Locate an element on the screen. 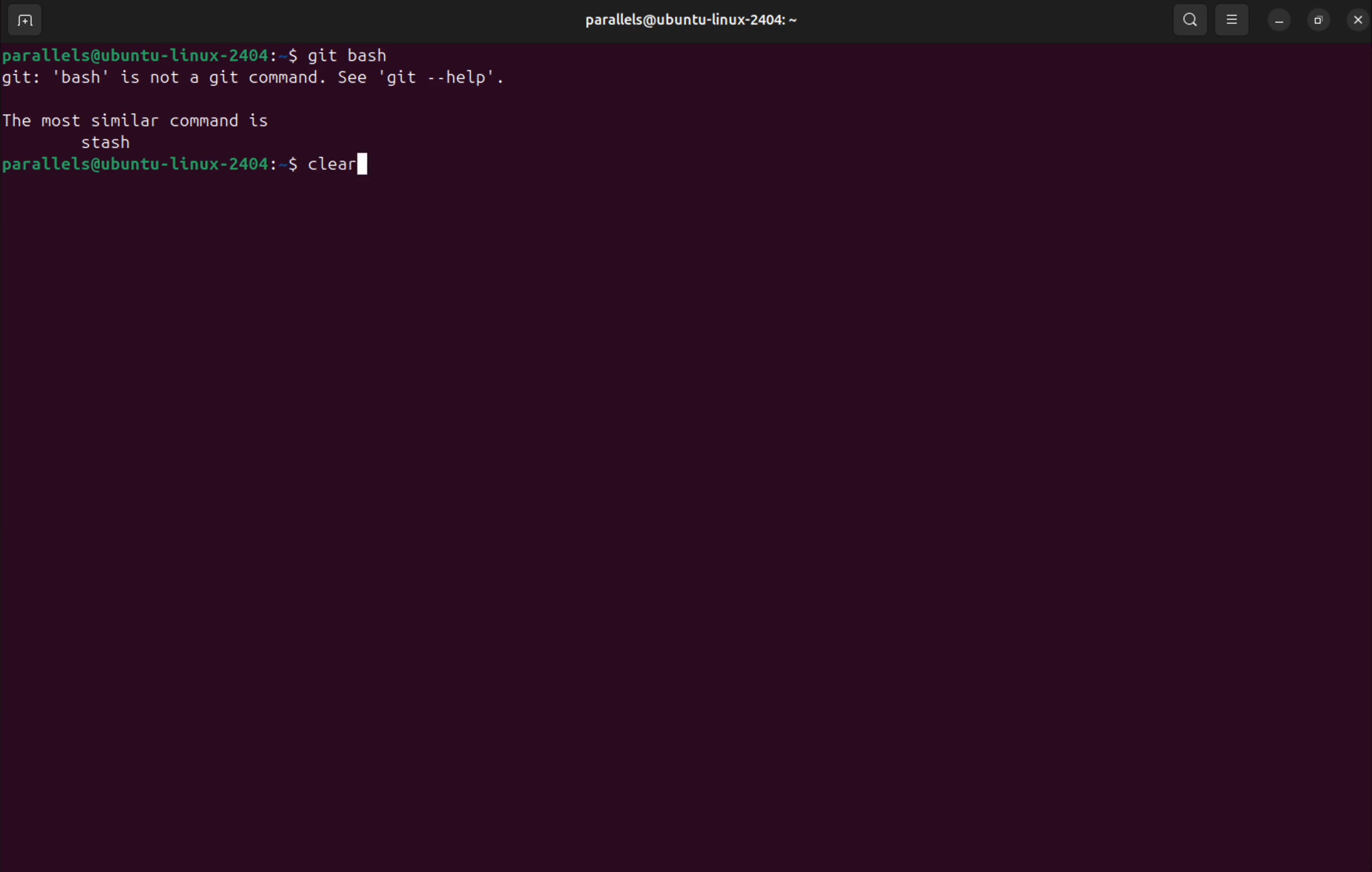  view options is located at coordinates (1236, 21).